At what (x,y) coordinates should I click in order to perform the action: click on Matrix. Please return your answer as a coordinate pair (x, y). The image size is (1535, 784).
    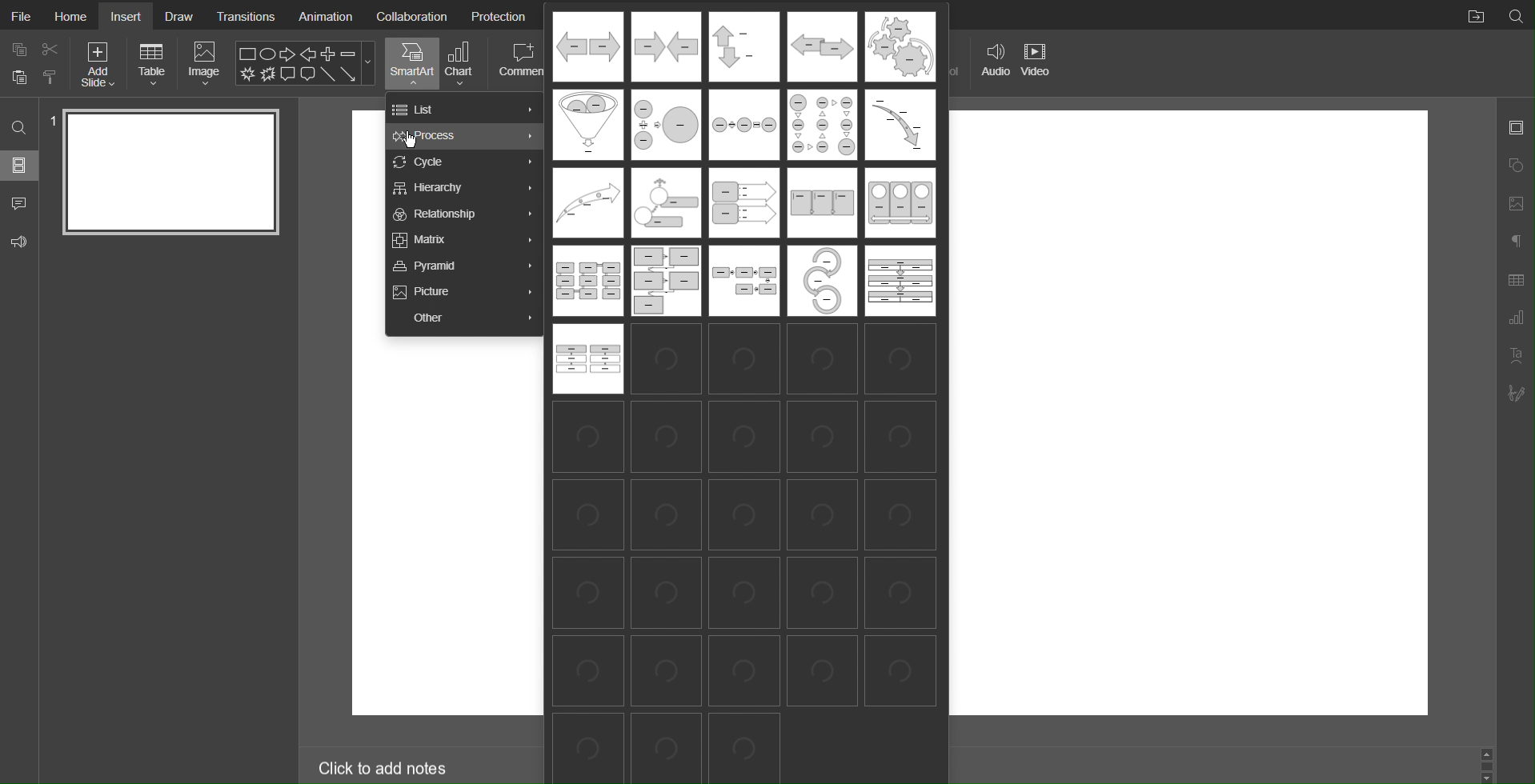
    Looking at the image, I should click on (464, 240).